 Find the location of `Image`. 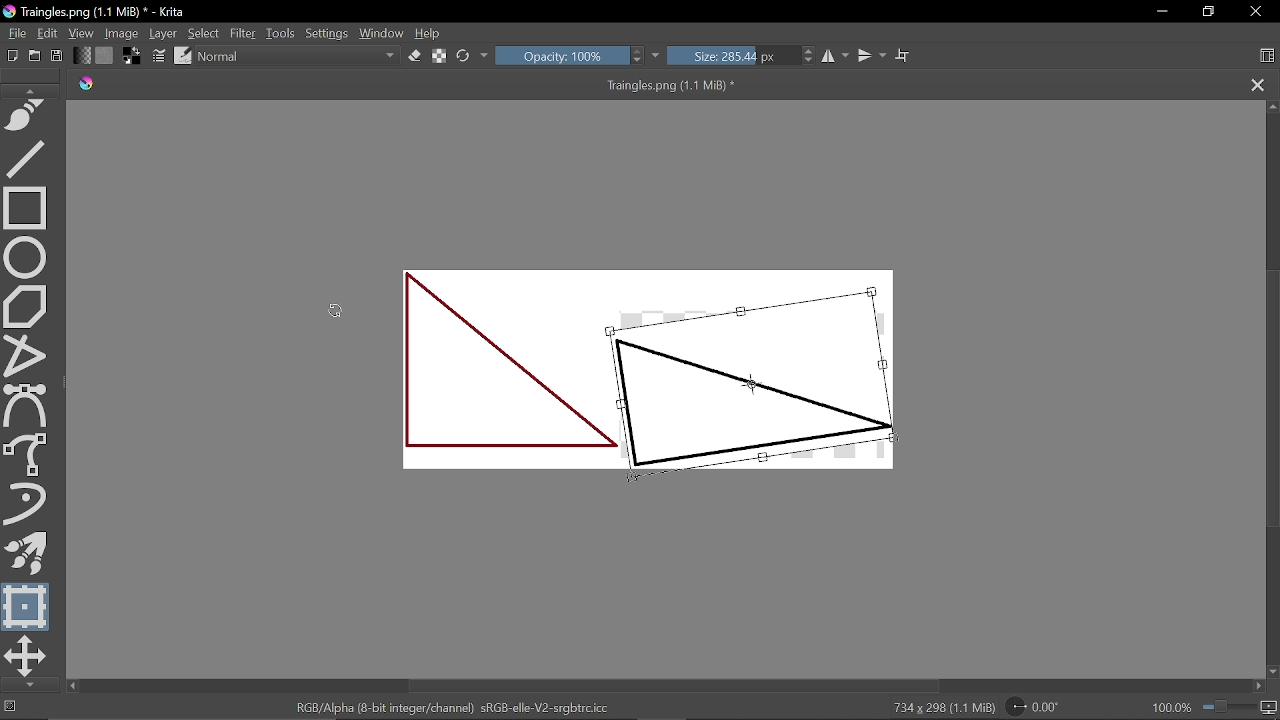

Image is located at coordinates (123, 33).